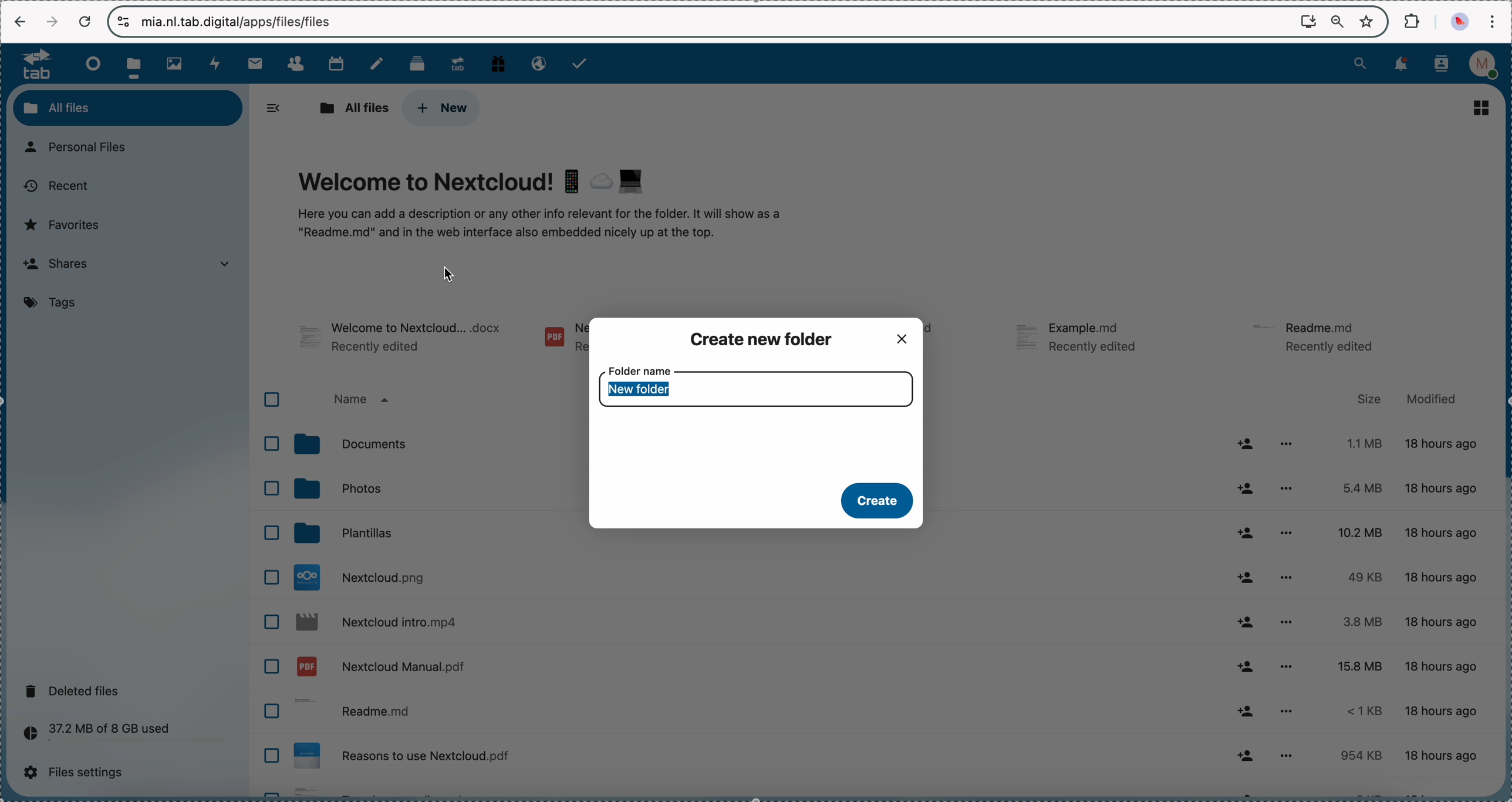  What do you see at coordinates (1288, 666) in the screenshot?
I see `more options` at bounding box center [1288, 666].